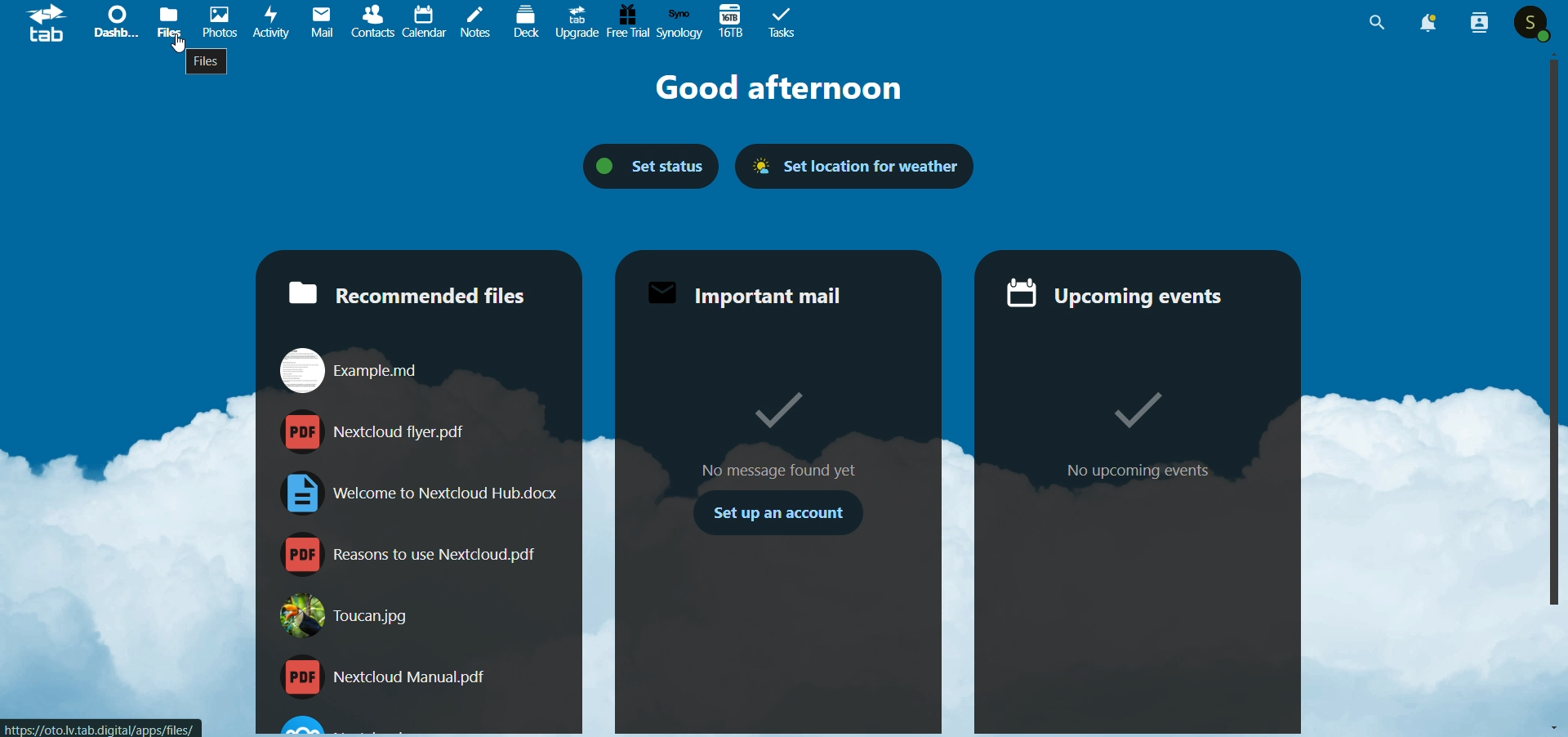  What do you see at coordinates (526, 22) in the screenshot?
I see `dock` at bounding box center [526, 22].